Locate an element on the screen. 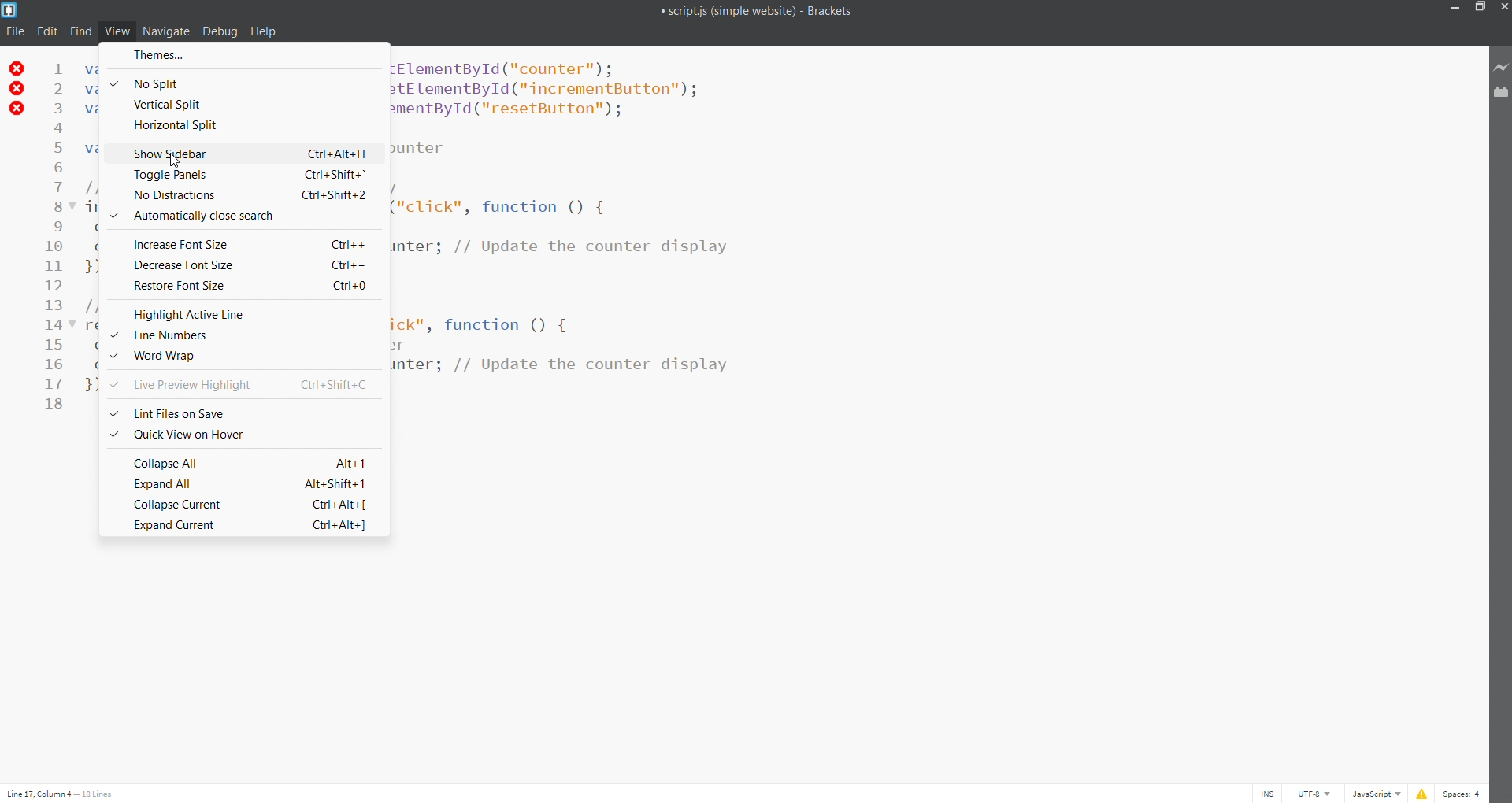  encoding is located at coordinates (1310, 793).